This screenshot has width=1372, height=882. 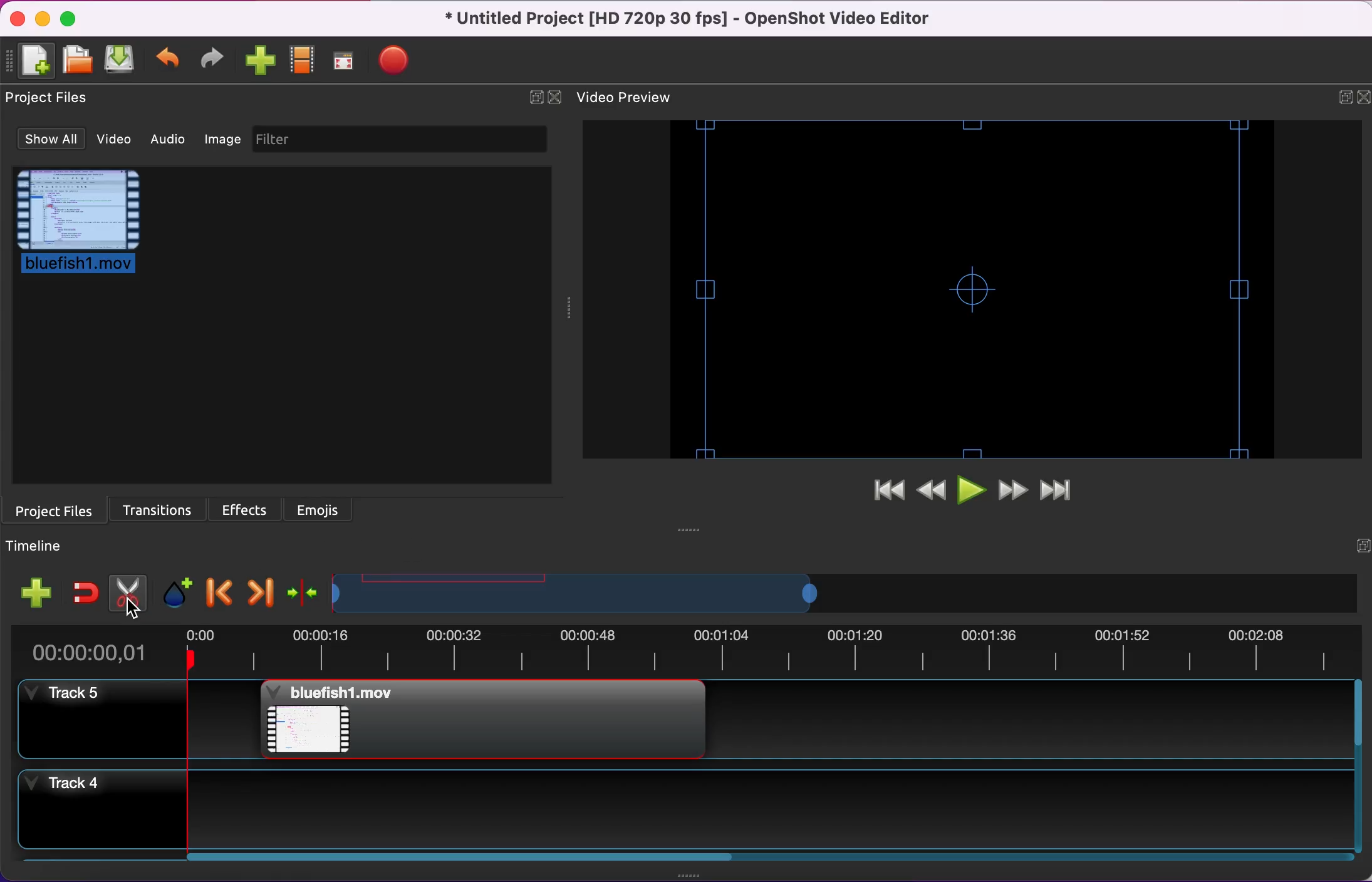 What do you see at coordinates (591, 593) in the screenshot?
I see `timeline` at bounding box center [591, 593].